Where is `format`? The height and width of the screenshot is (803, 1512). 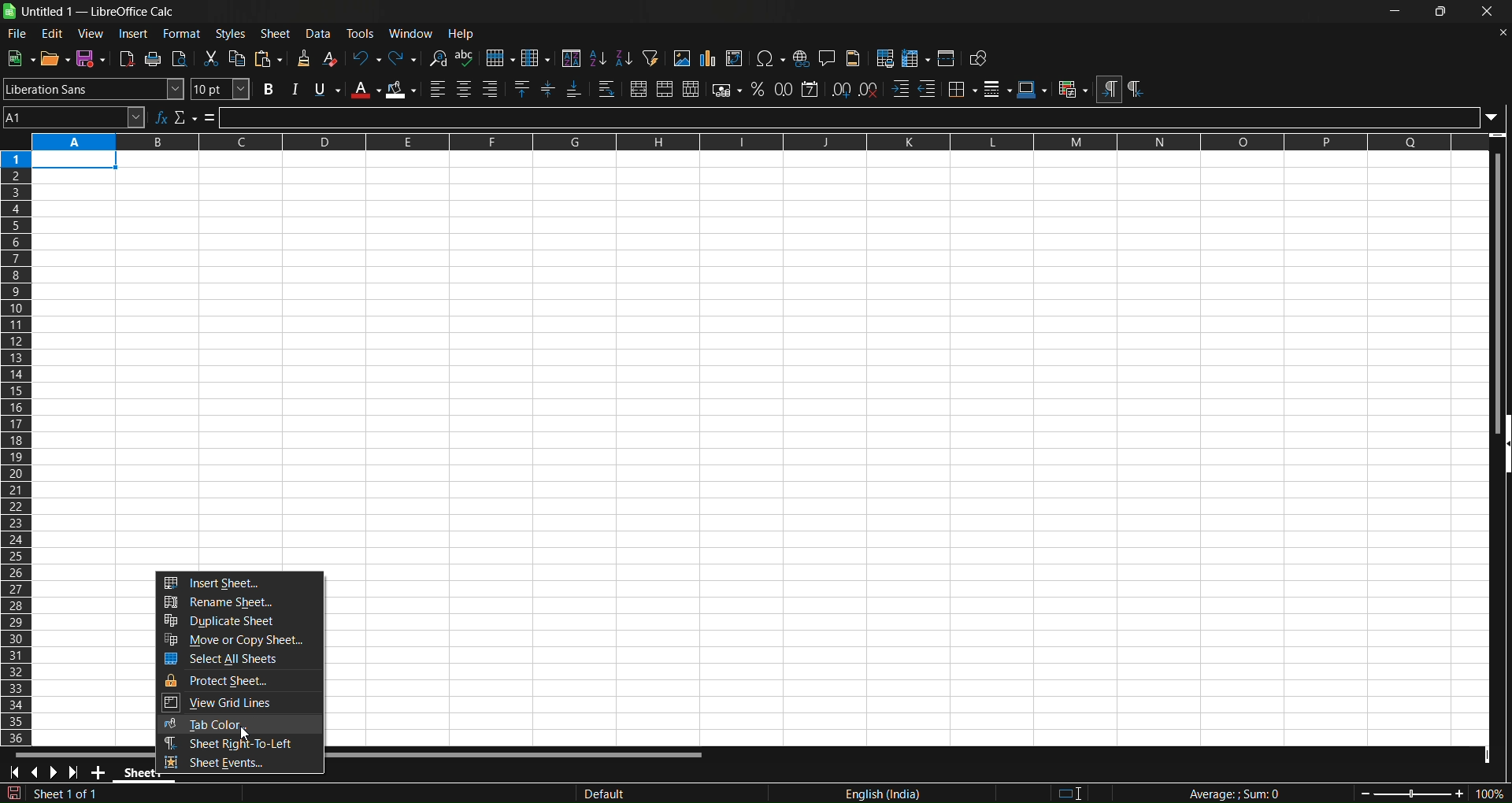 format is located at coordinates (182, 33).